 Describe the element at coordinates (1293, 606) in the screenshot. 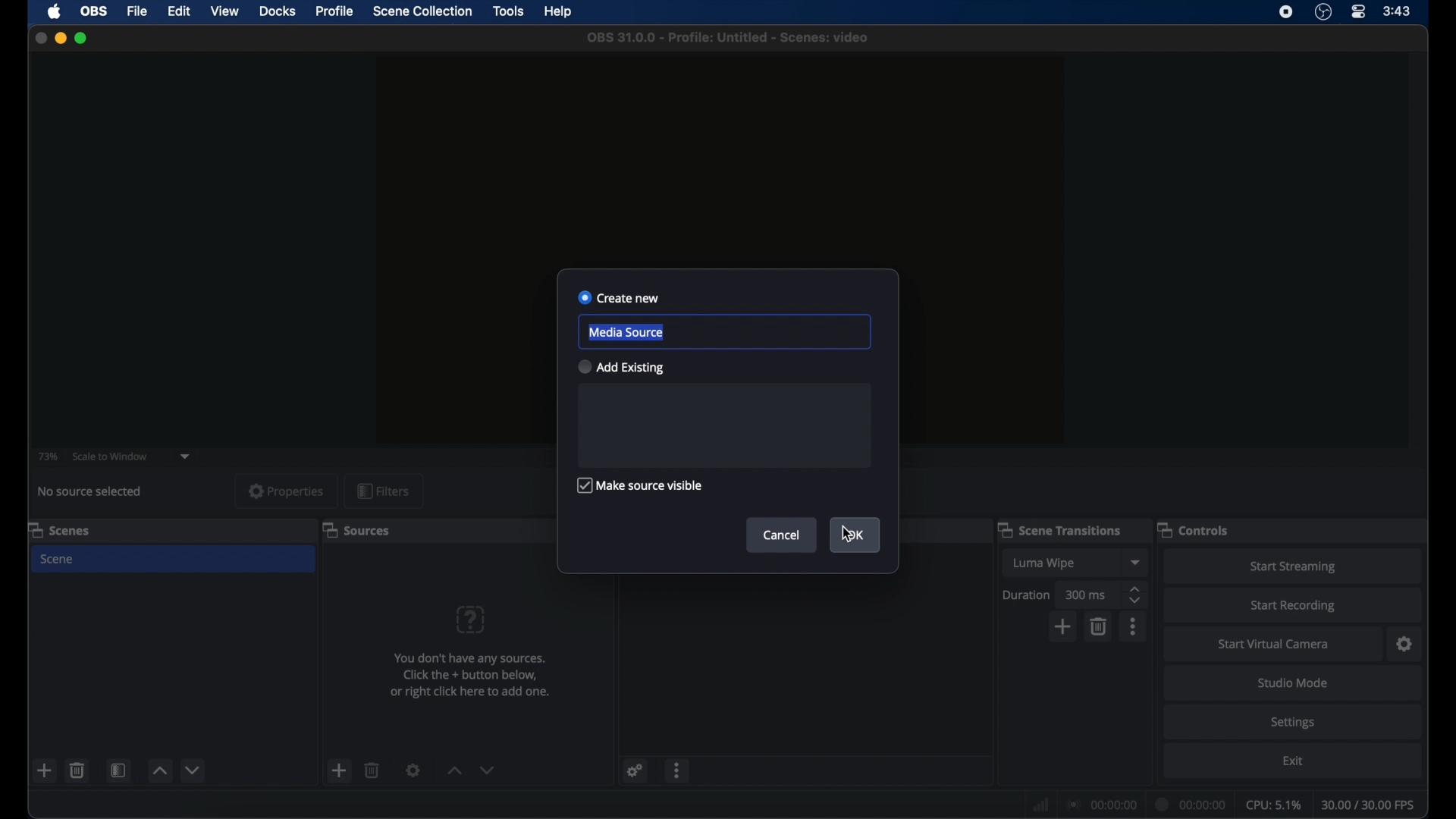

I see `start recording` at that location.